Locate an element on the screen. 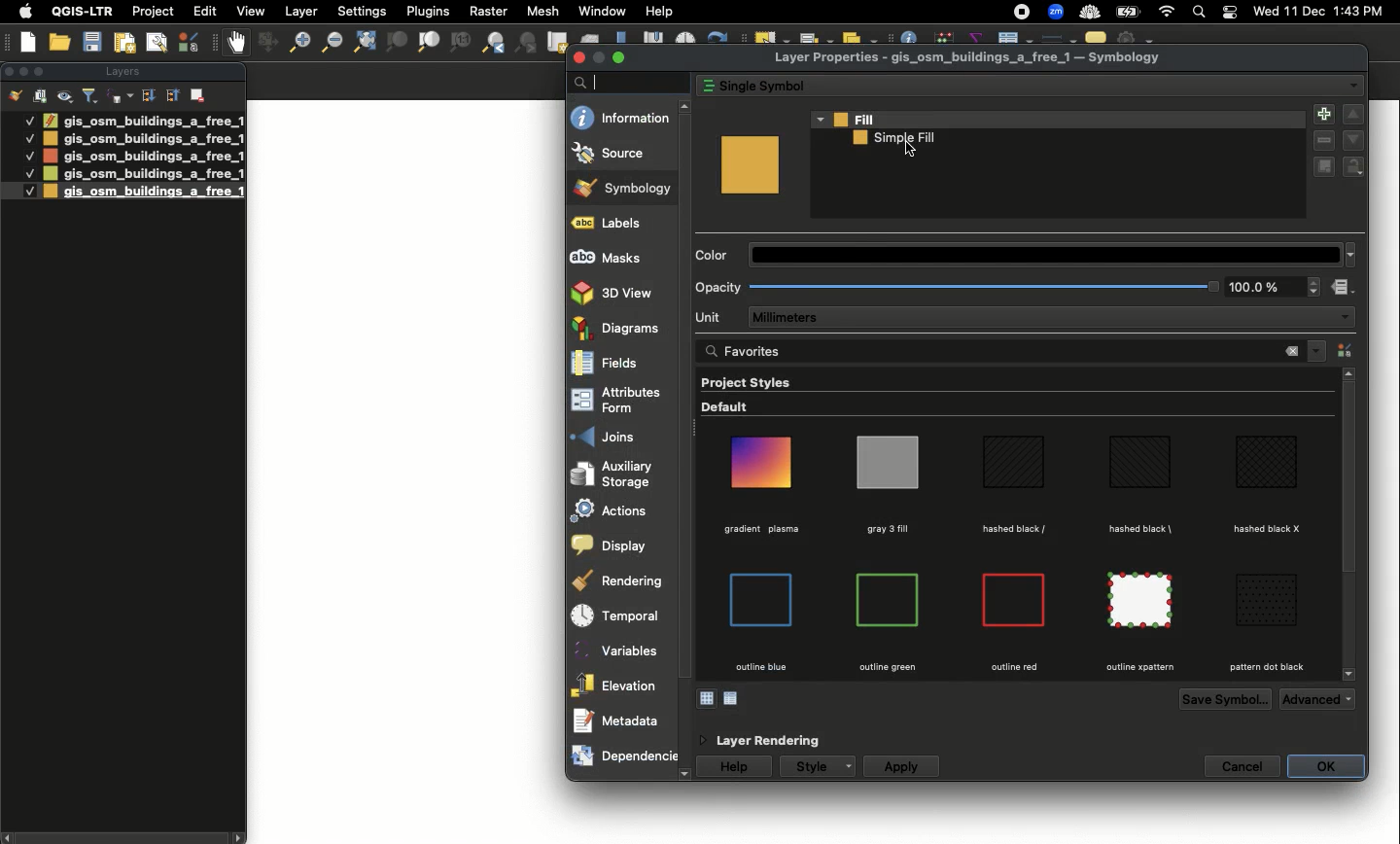 This screenshot has width=1400, height=844. gis_osm_buildings_a_free_1 is located at coordinates (144, 139).